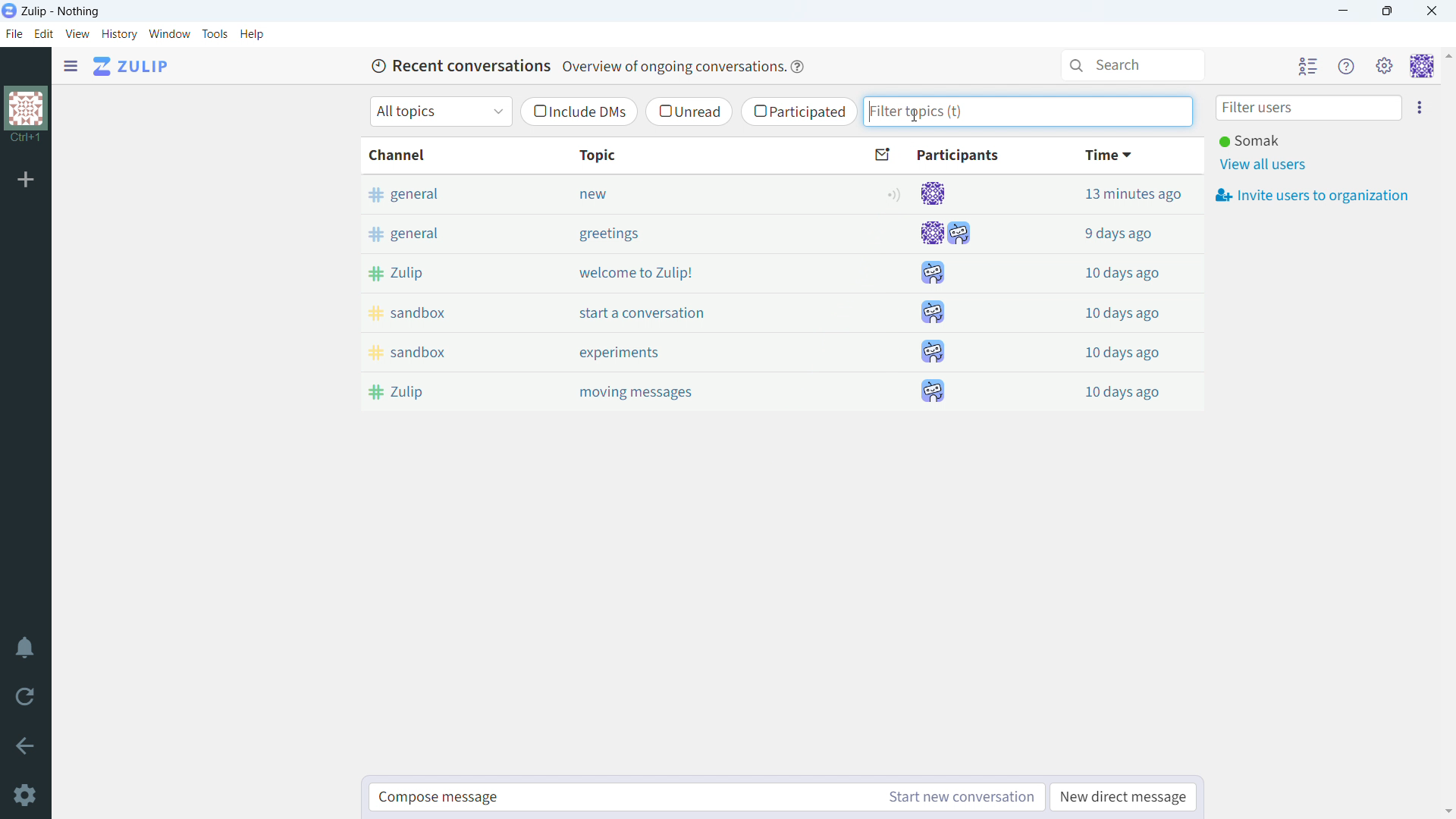  What do you see at coordinates (1106, 350) in the screenshot?
I see `10 days ago` at bounding box center [1106, 350].